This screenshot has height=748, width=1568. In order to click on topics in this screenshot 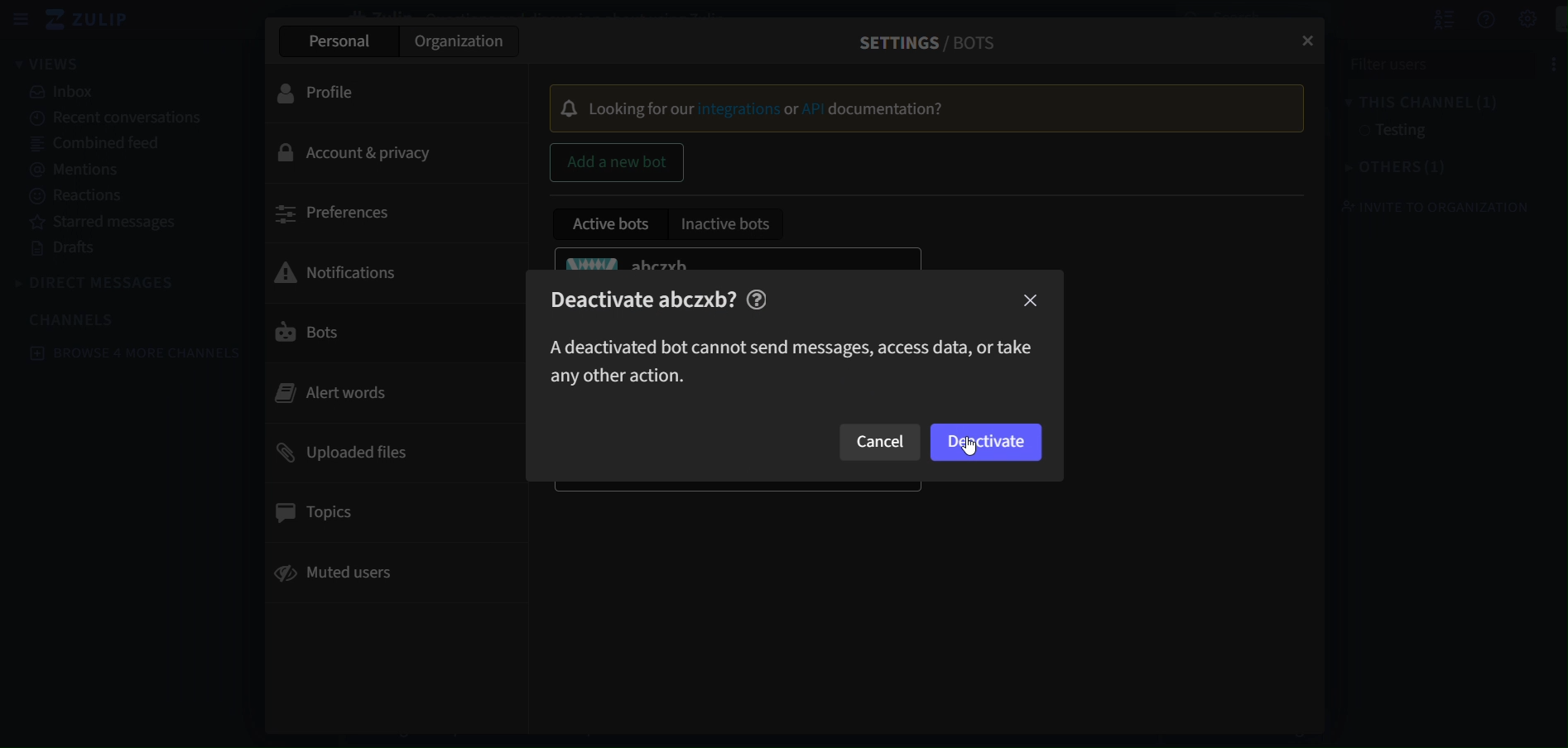, I will do `click(320, 514)`.